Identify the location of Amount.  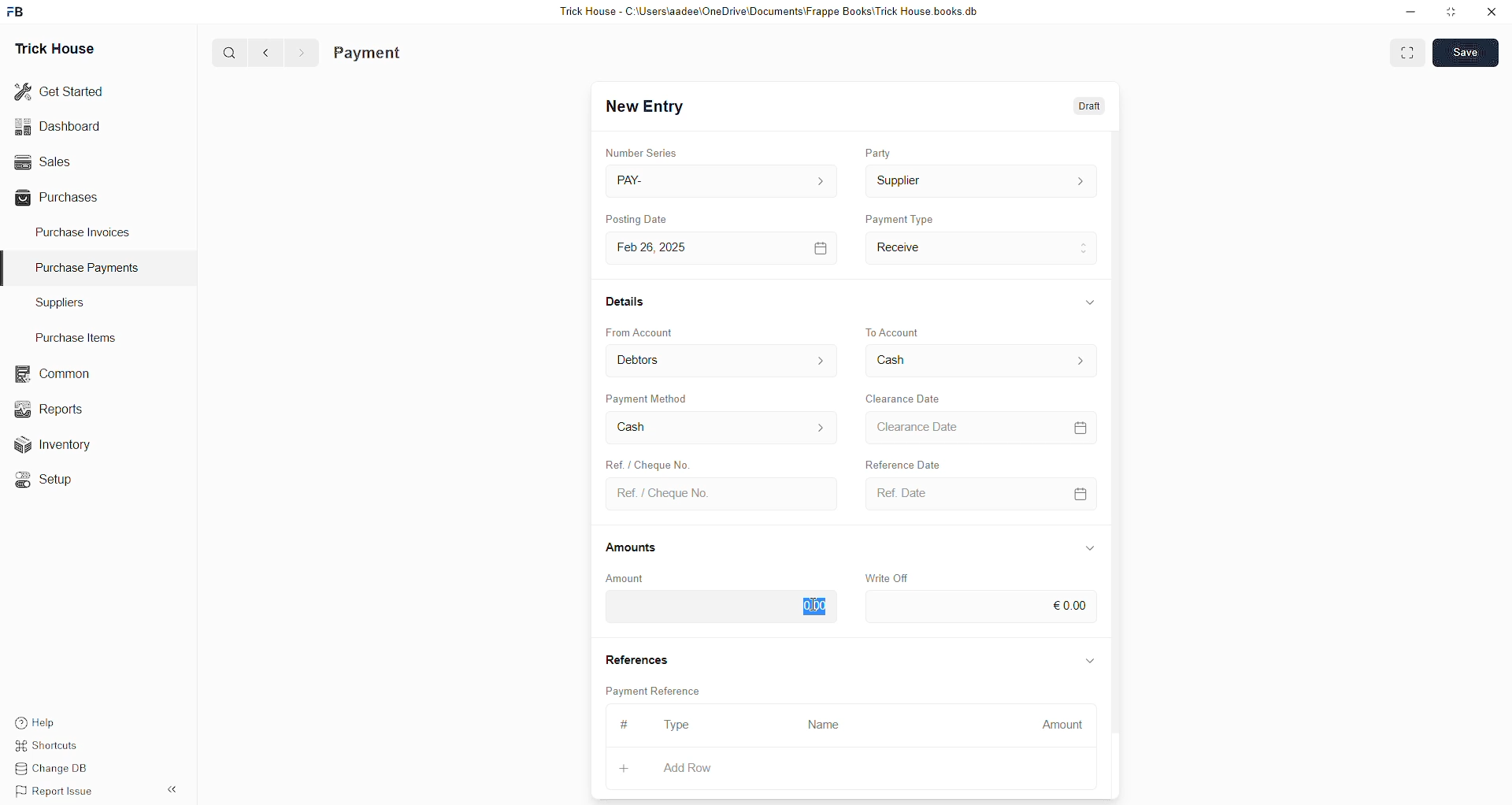
(634, 577).